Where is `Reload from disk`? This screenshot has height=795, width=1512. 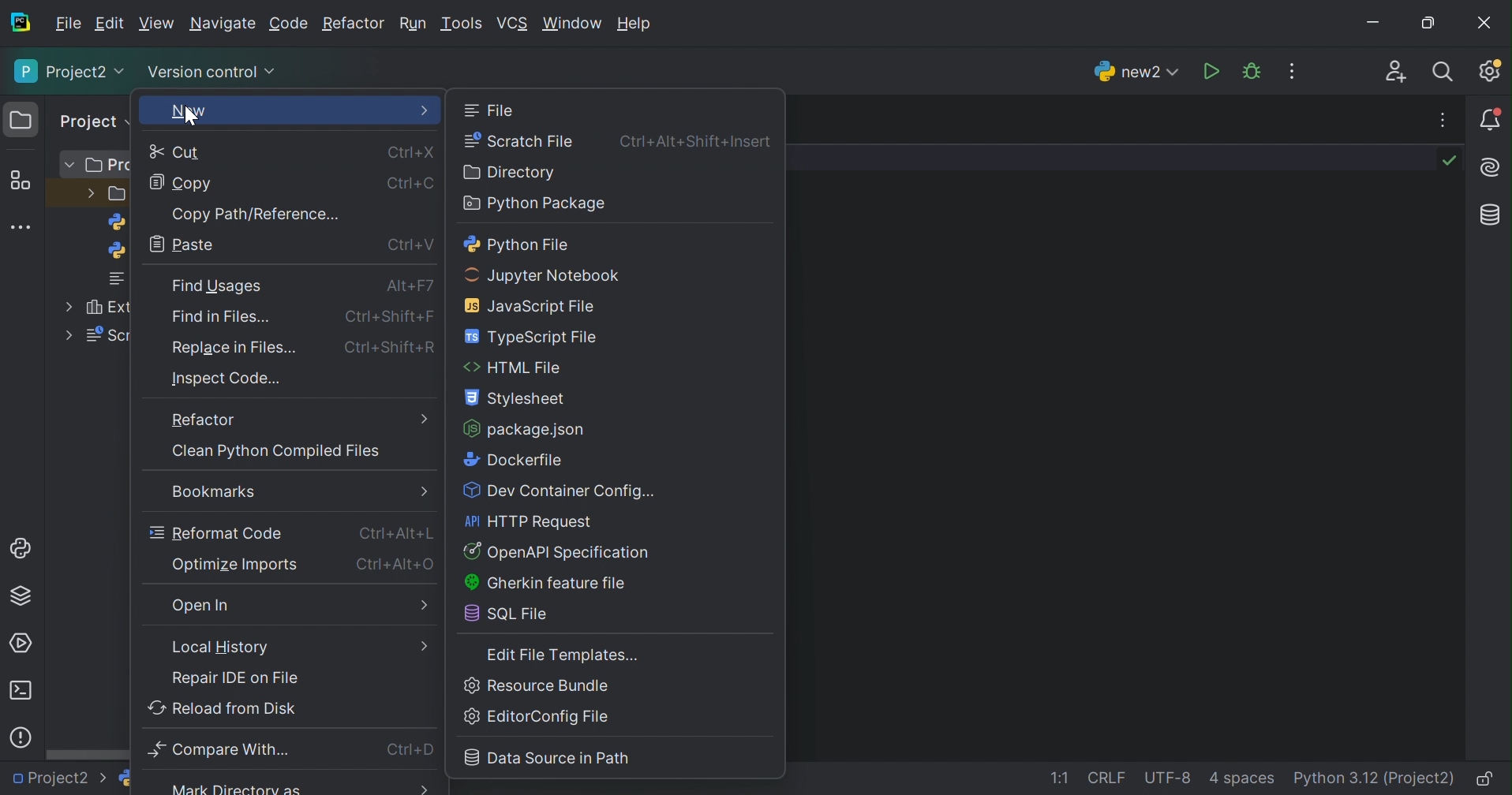 Reload from disk is located at coordinates (223, 707).